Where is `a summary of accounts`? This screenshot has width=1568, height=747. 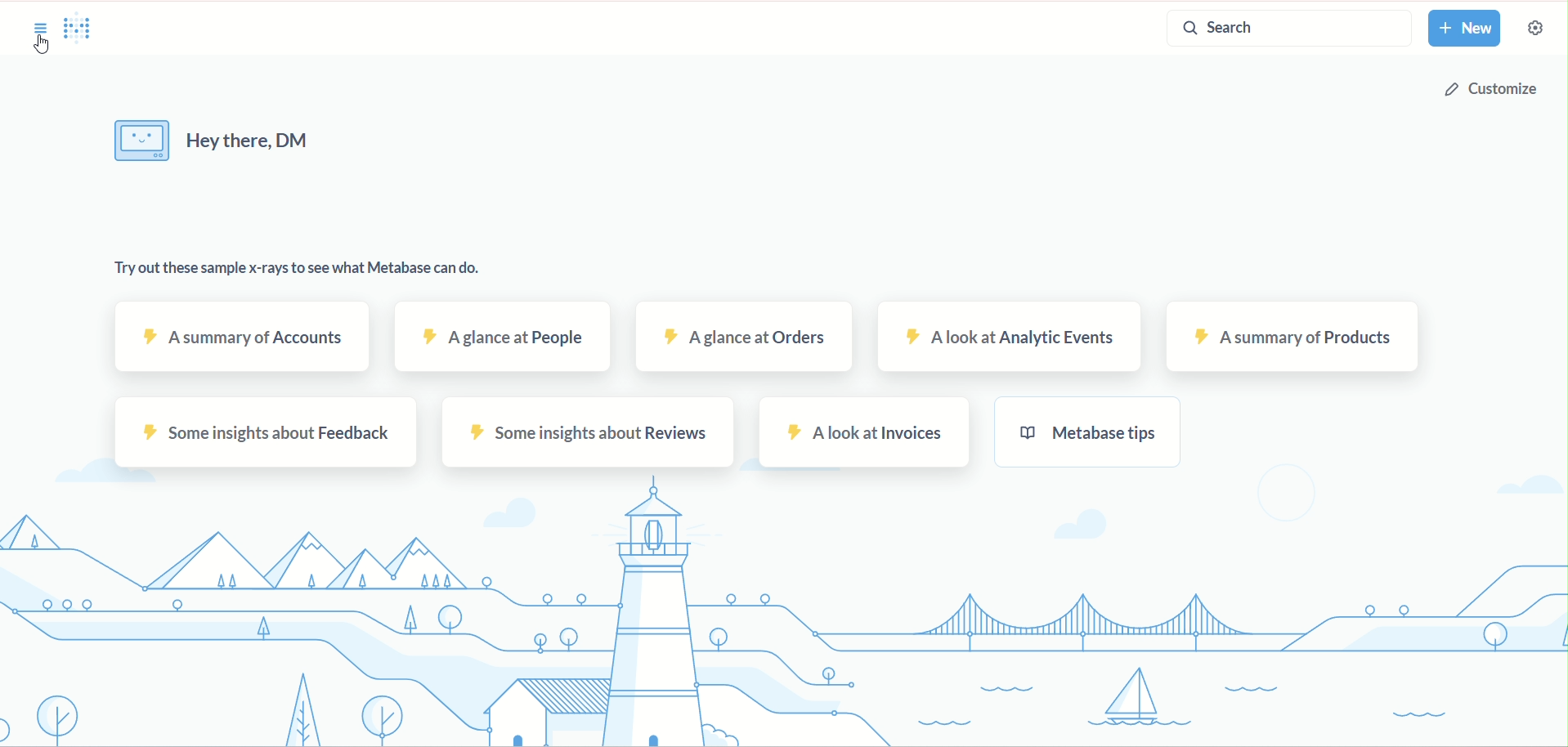 a summary of accounts is located at coordinates (240, 336).